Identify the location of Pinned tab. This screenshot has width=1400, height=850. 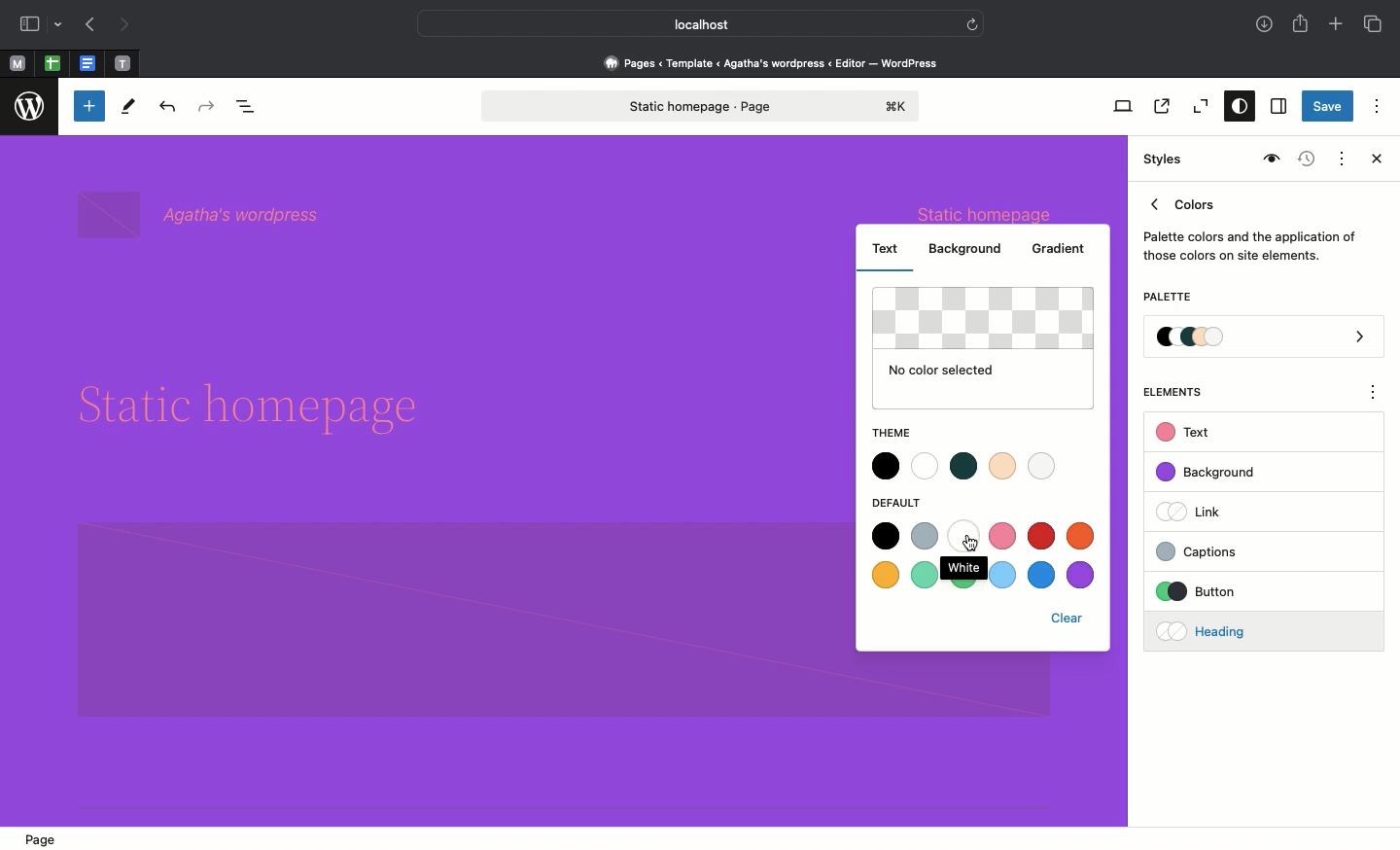
(123, 64).